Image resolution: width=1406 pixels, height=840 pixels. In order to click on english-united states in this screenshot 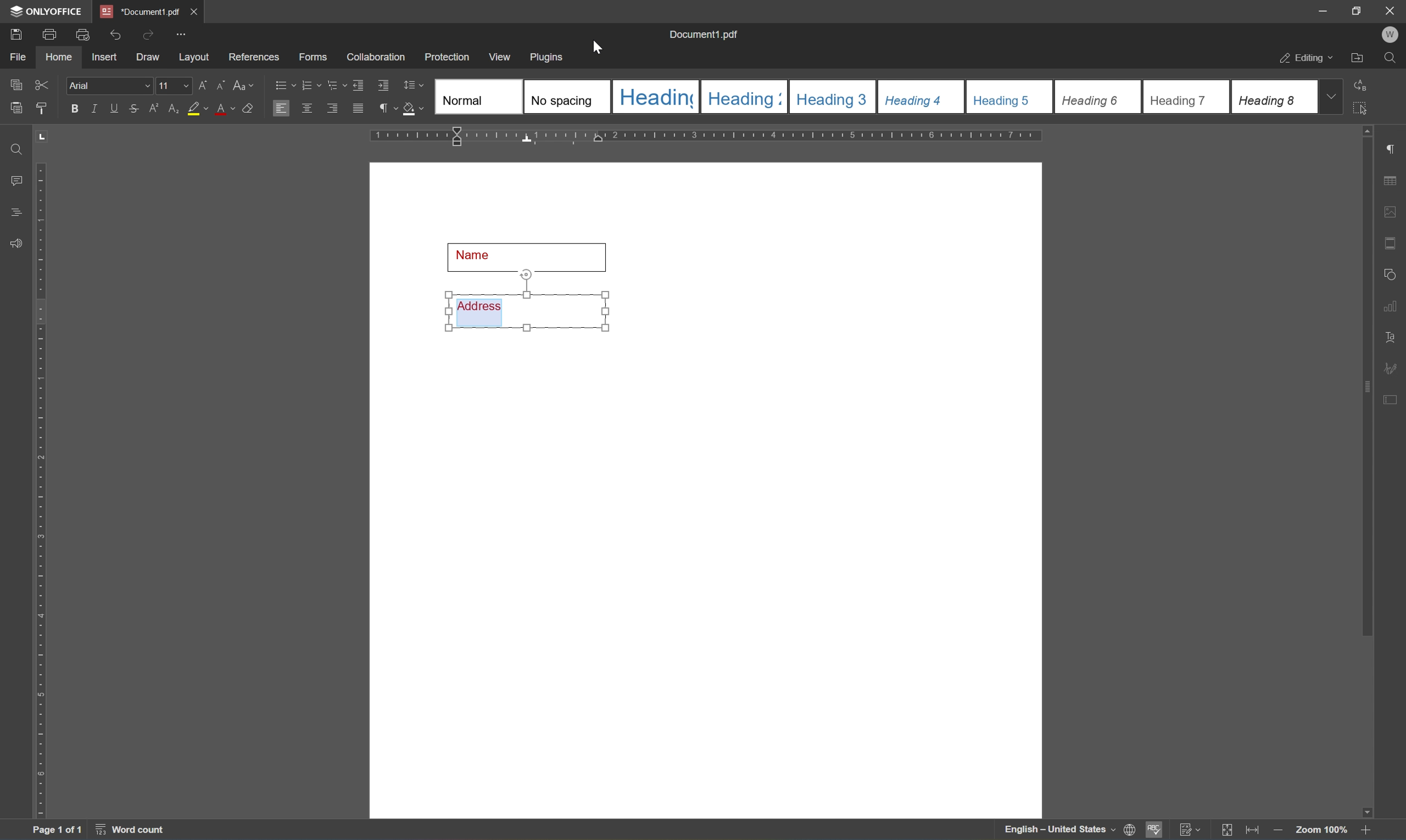, I will do `click(1061, 832)`.